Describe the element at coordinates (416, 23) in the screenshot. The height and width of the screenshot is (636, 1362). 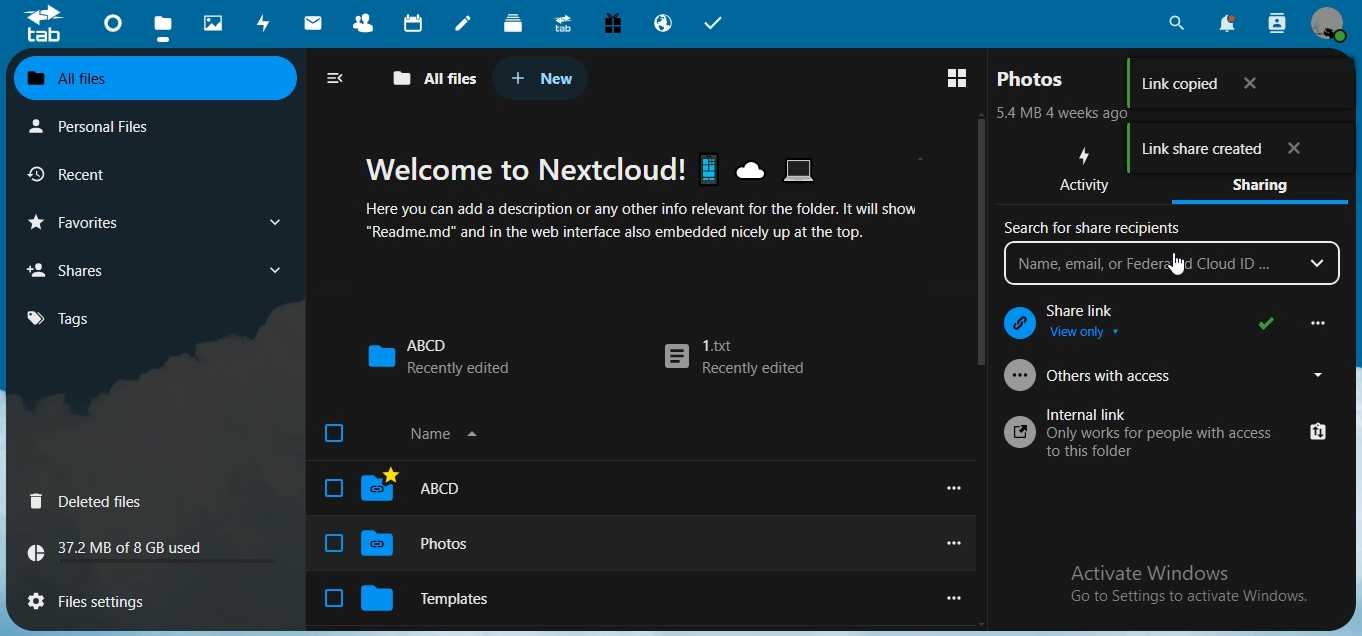
I see `calendar` at that location.